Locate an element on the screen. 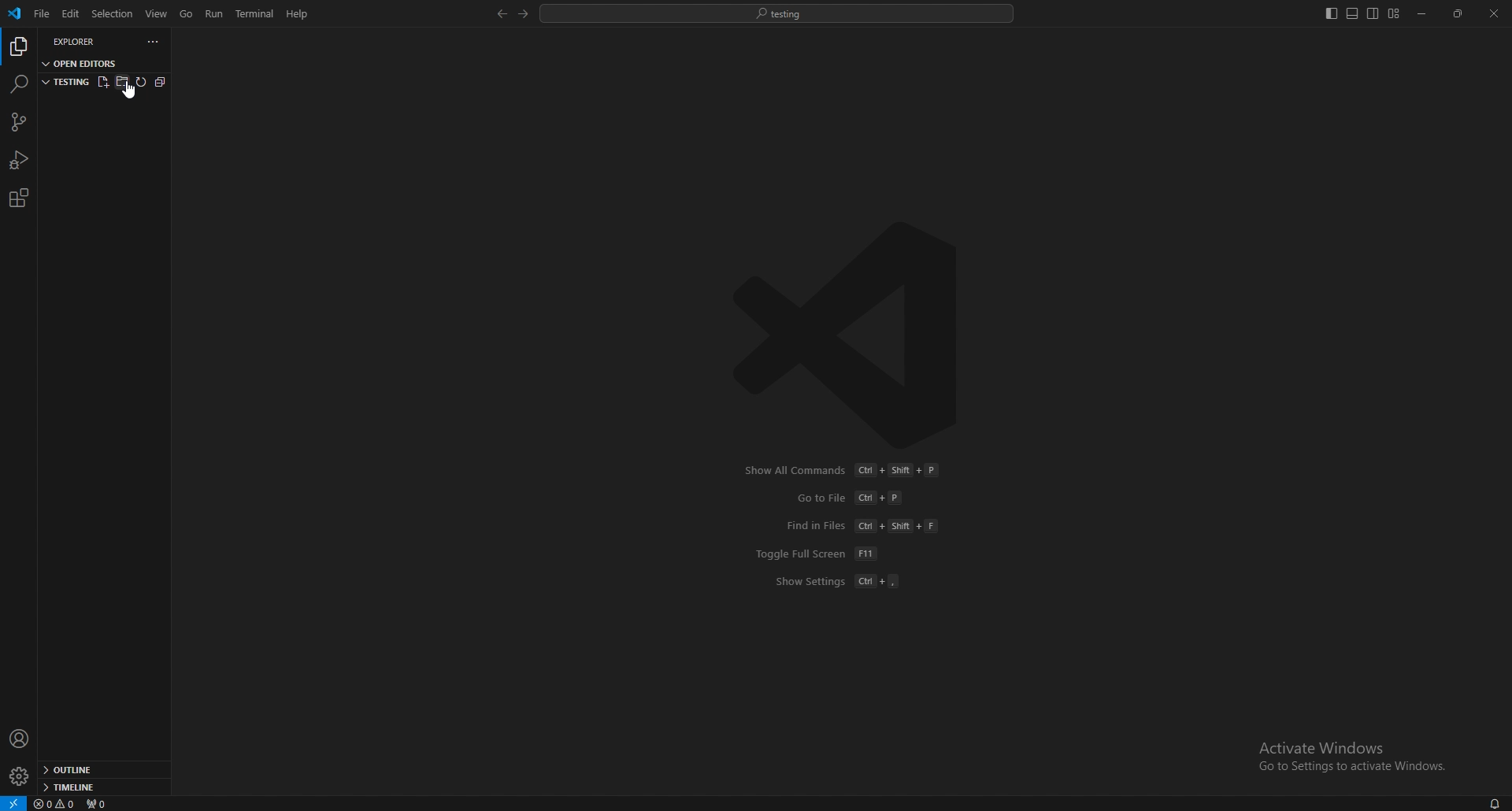 Image resolution: width=1512 pixels, height=811 pixels. file is located at coordinates (40, 14).